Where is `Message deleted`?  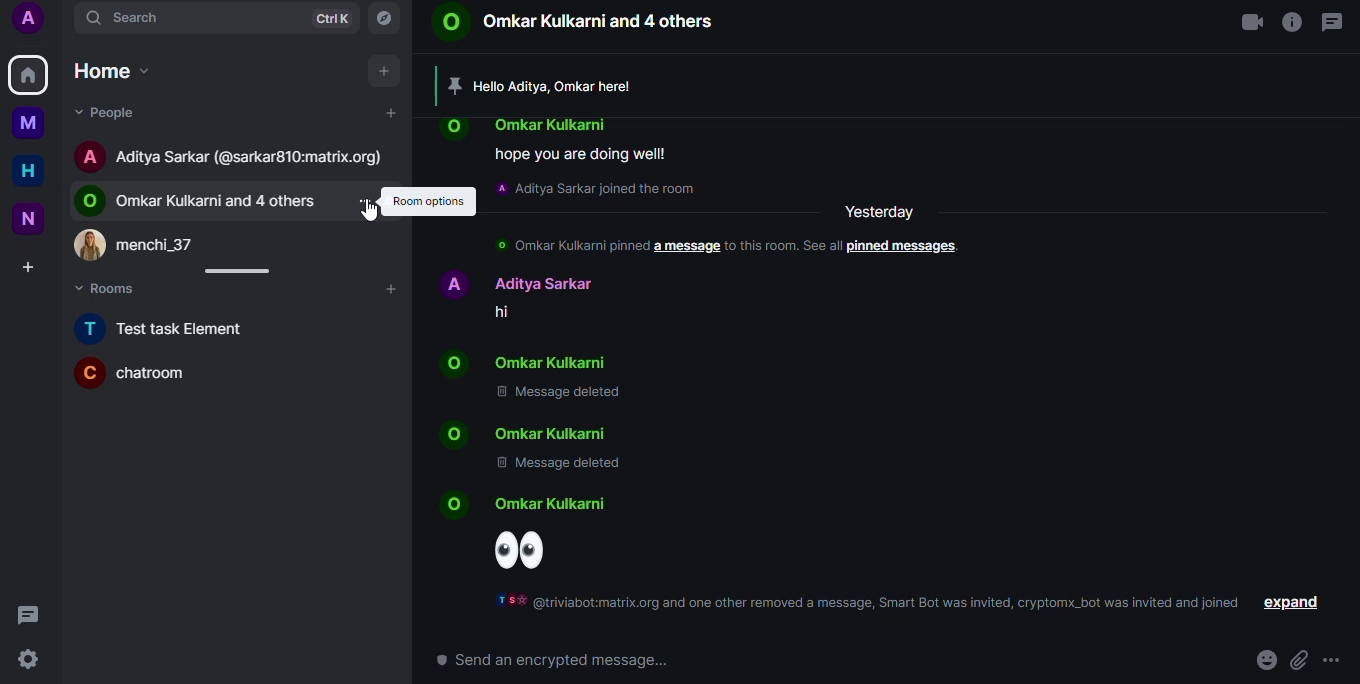 Message deleted is located at coordinates (564, 395).